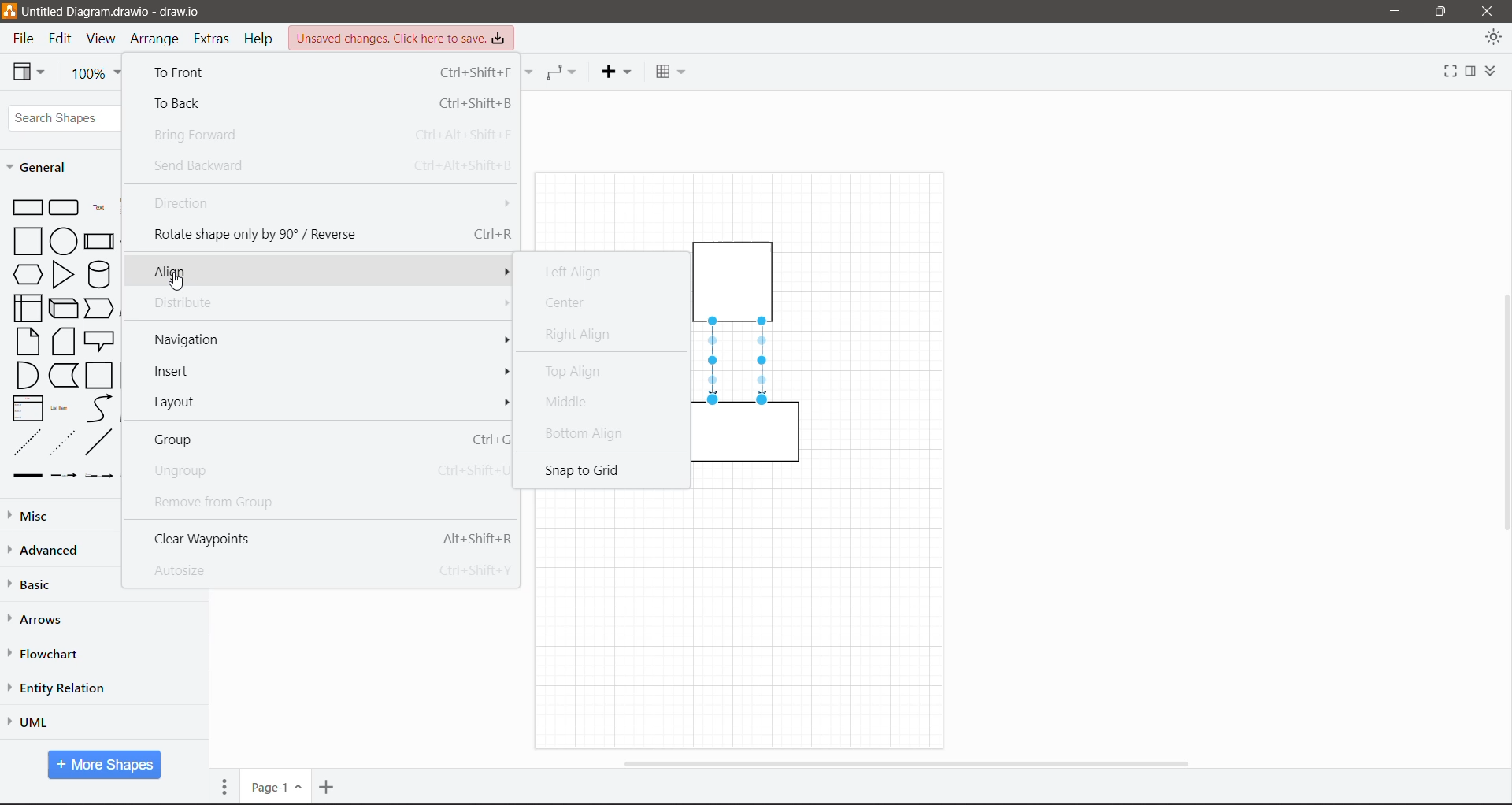 The height and width of the screenshot is (805, 1512). I want to click on Navigation, so click(327, 342).